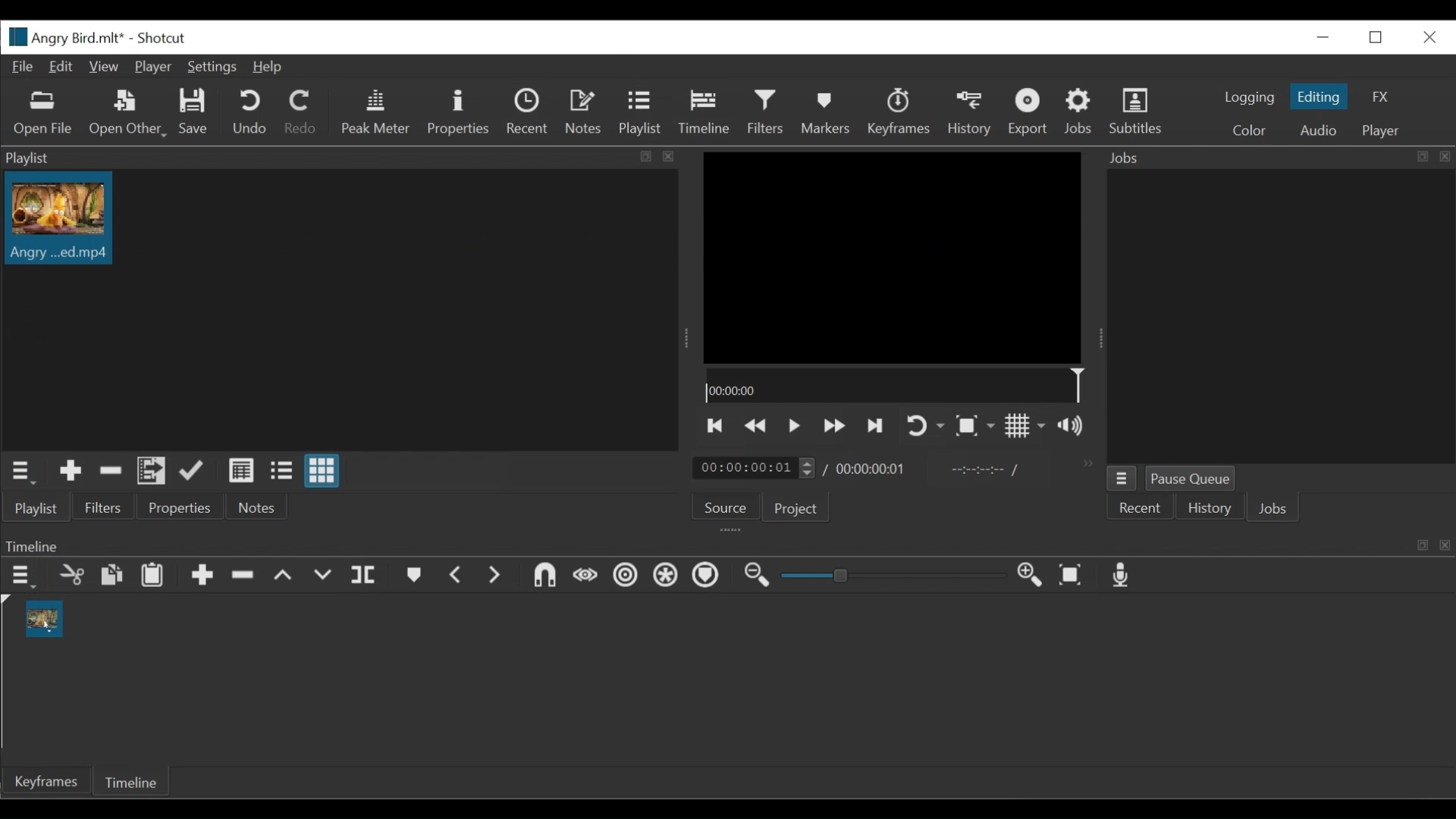 This screenshot has height=819, width=1456. I want to click on Next Marker, so click(498, 576).